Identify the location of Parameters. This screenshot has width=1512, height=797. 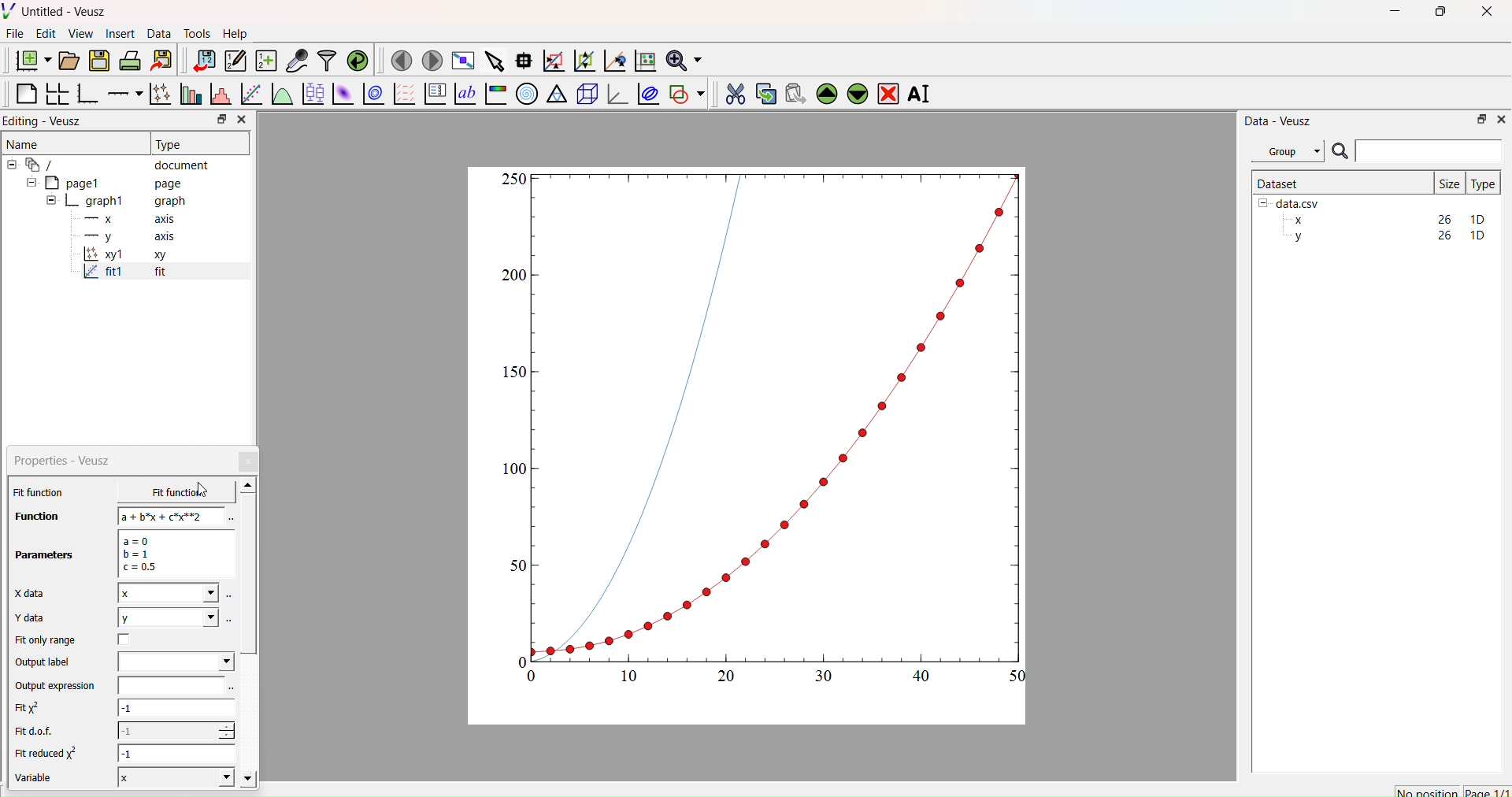
(46, 555).